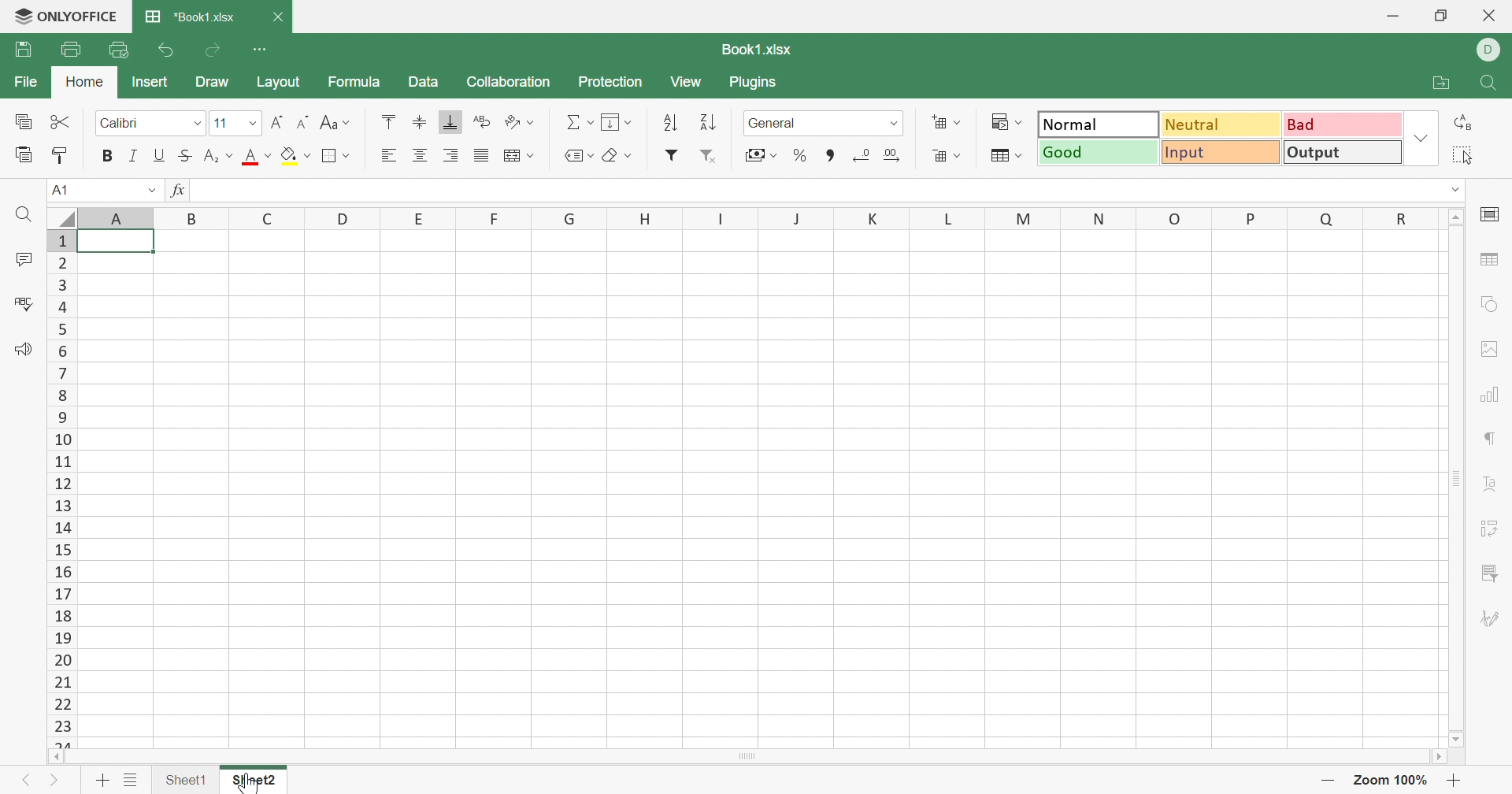  What do you see at coordinates (631, 122) in the screenshot?
I see `Drop Down` at bounding box center [631, 122].